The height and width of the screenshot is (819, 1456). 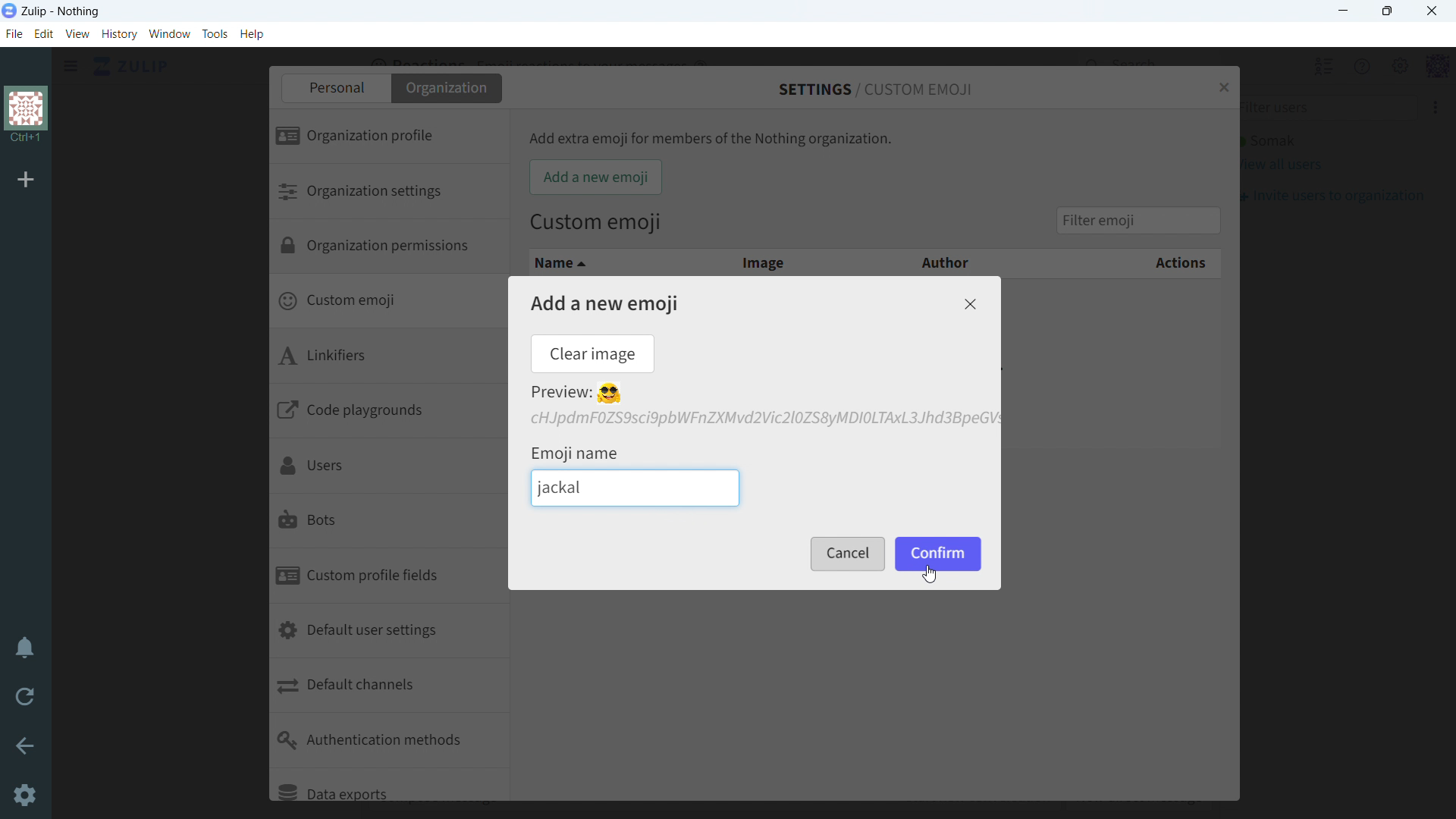 What do you see at coordinates (388, 249) in the screenshot?
I see `organization permissions` at bounding box center [388, 249].